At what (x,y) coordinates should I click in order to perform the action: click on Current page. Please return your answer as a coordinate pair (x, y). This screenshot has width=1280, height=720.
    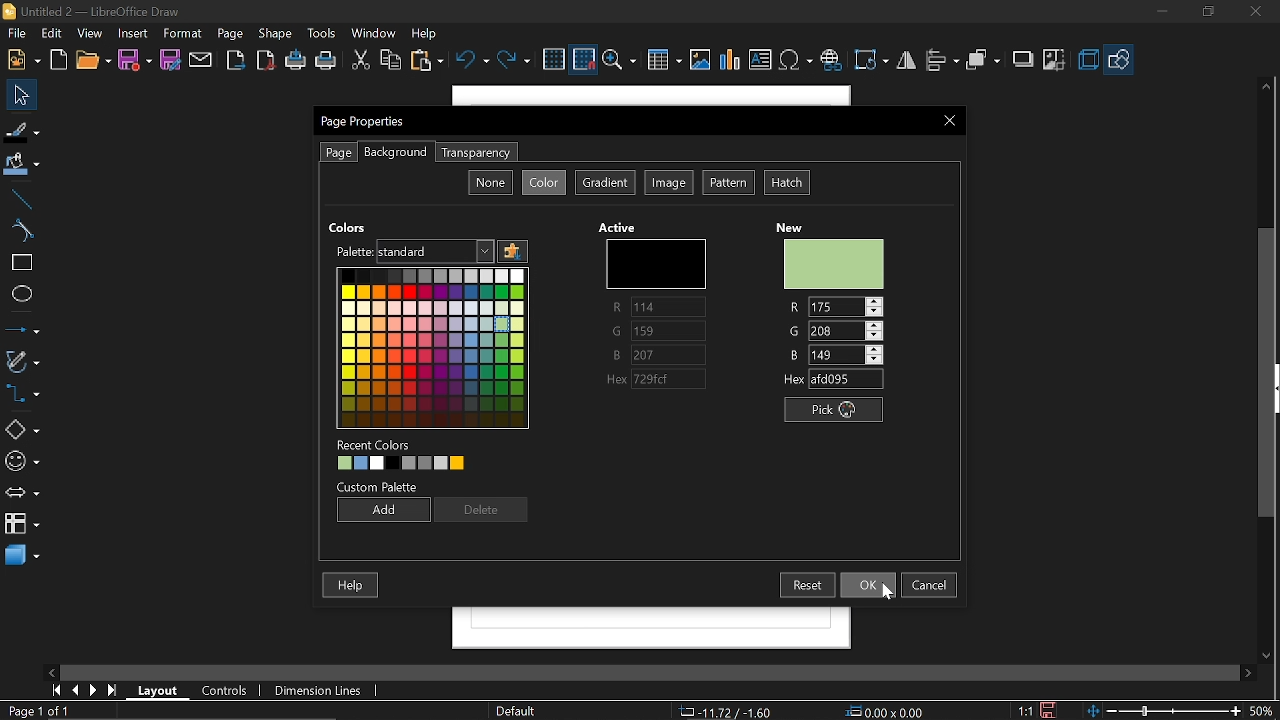
    Looking at the image, I should click on (38, 711).